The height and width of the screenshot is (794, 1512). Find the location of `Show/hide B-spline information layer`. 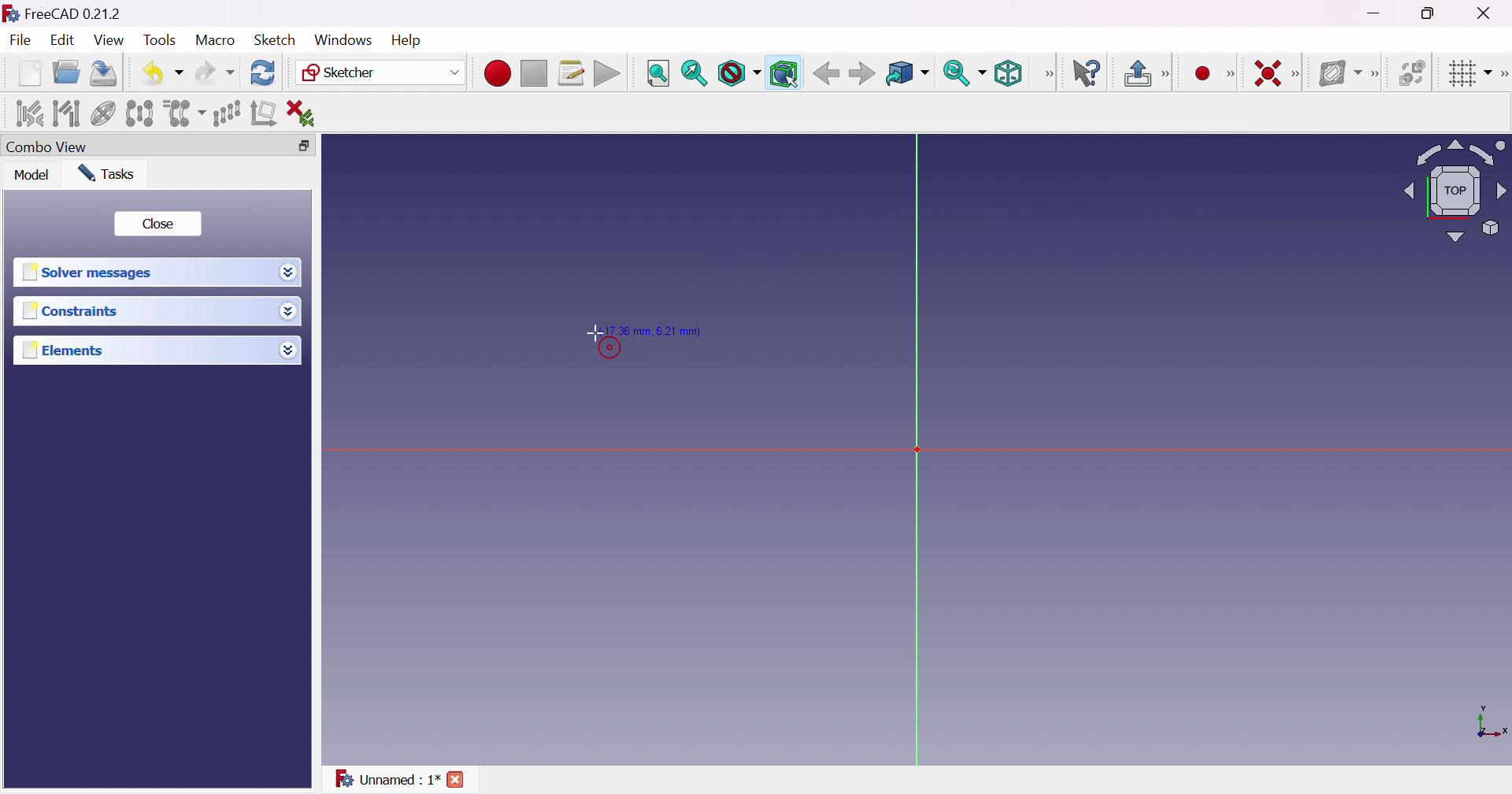

Show/hide B-spline information layer is located at coordinates (1340, 74).